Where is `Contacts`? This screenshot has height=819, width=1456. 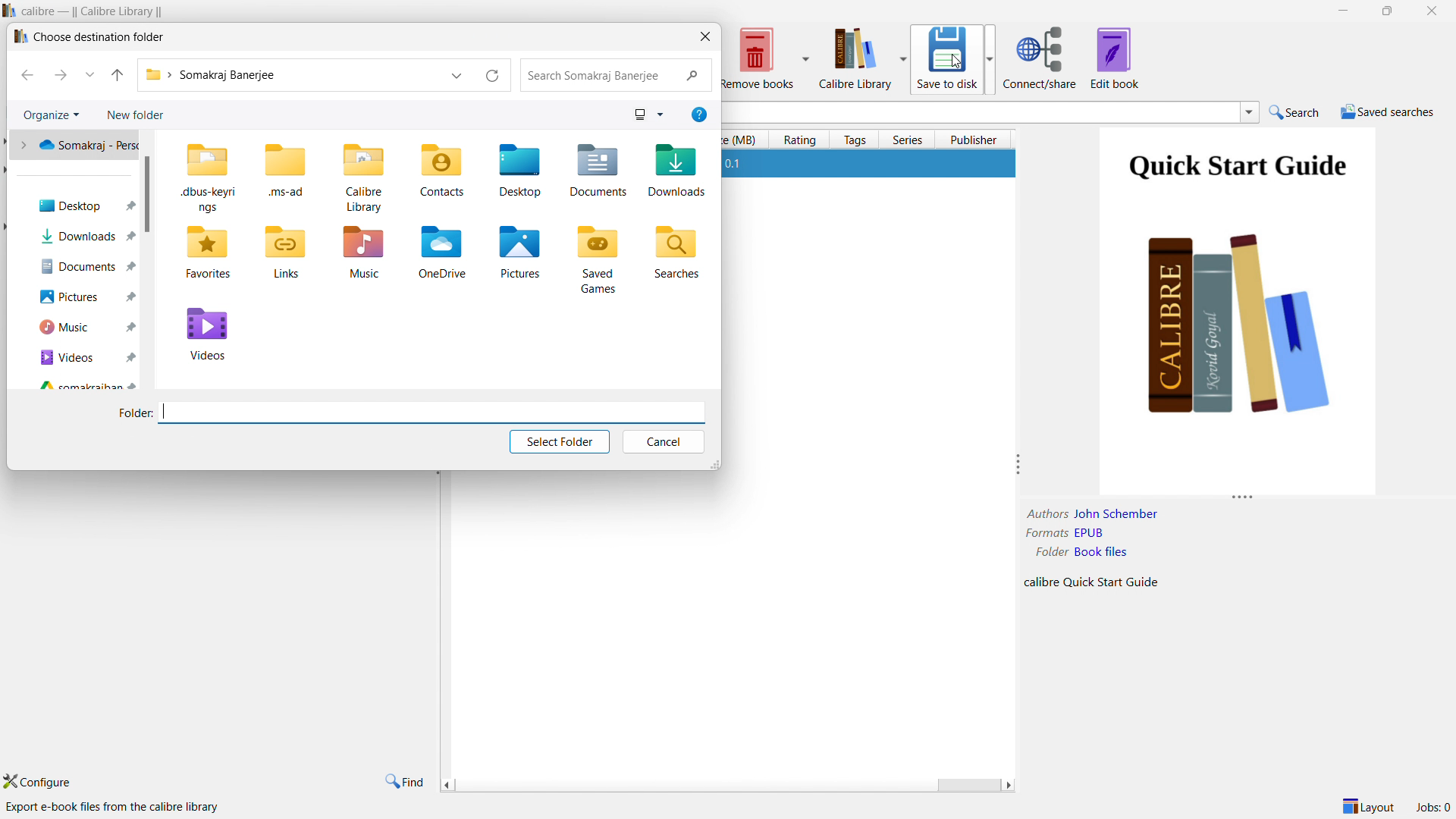 Contacts is located at coordinates (446, 171).